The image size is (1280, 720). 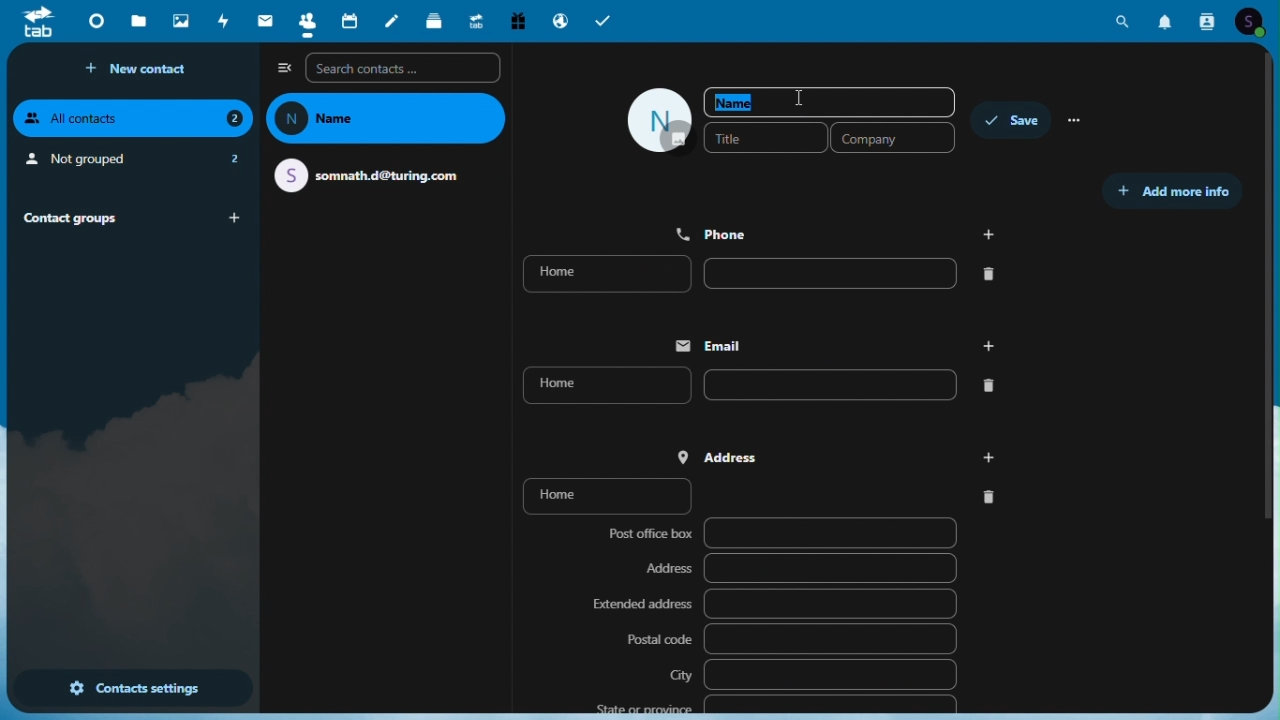 I want to click on Deck, so click(x=436, y=20).